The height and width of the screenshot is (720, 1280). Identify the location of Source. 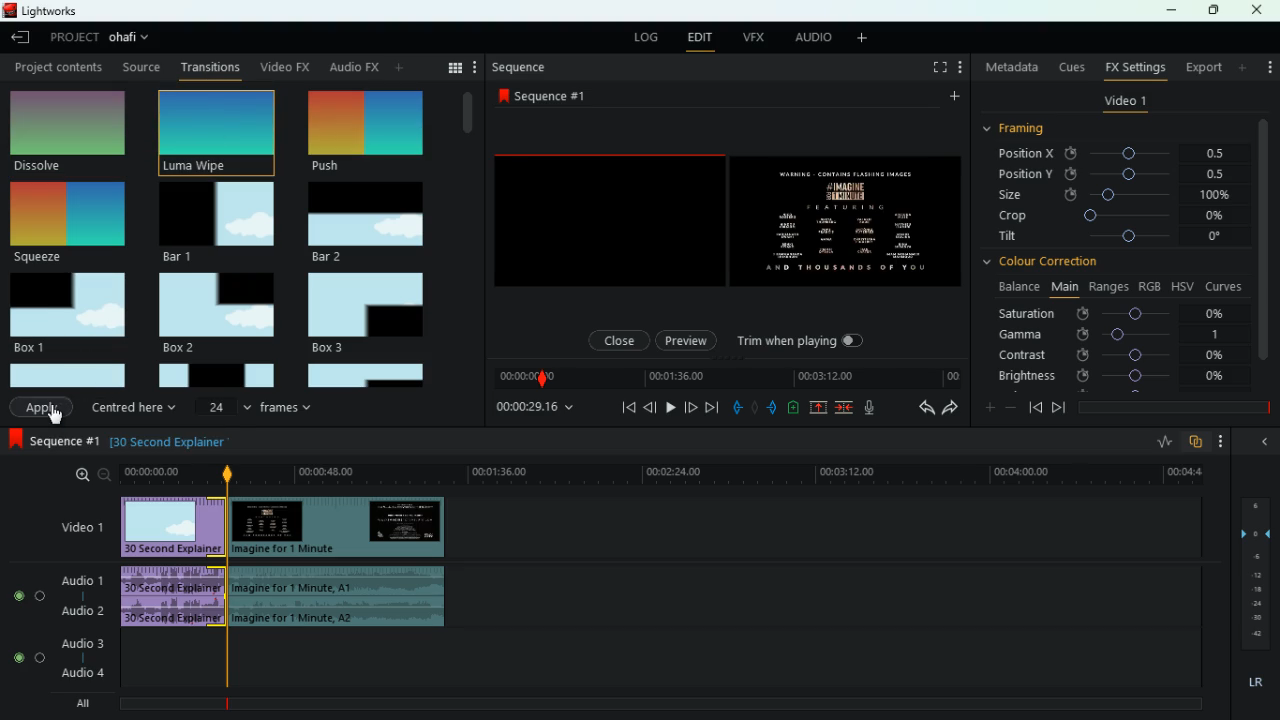
(142, 67).